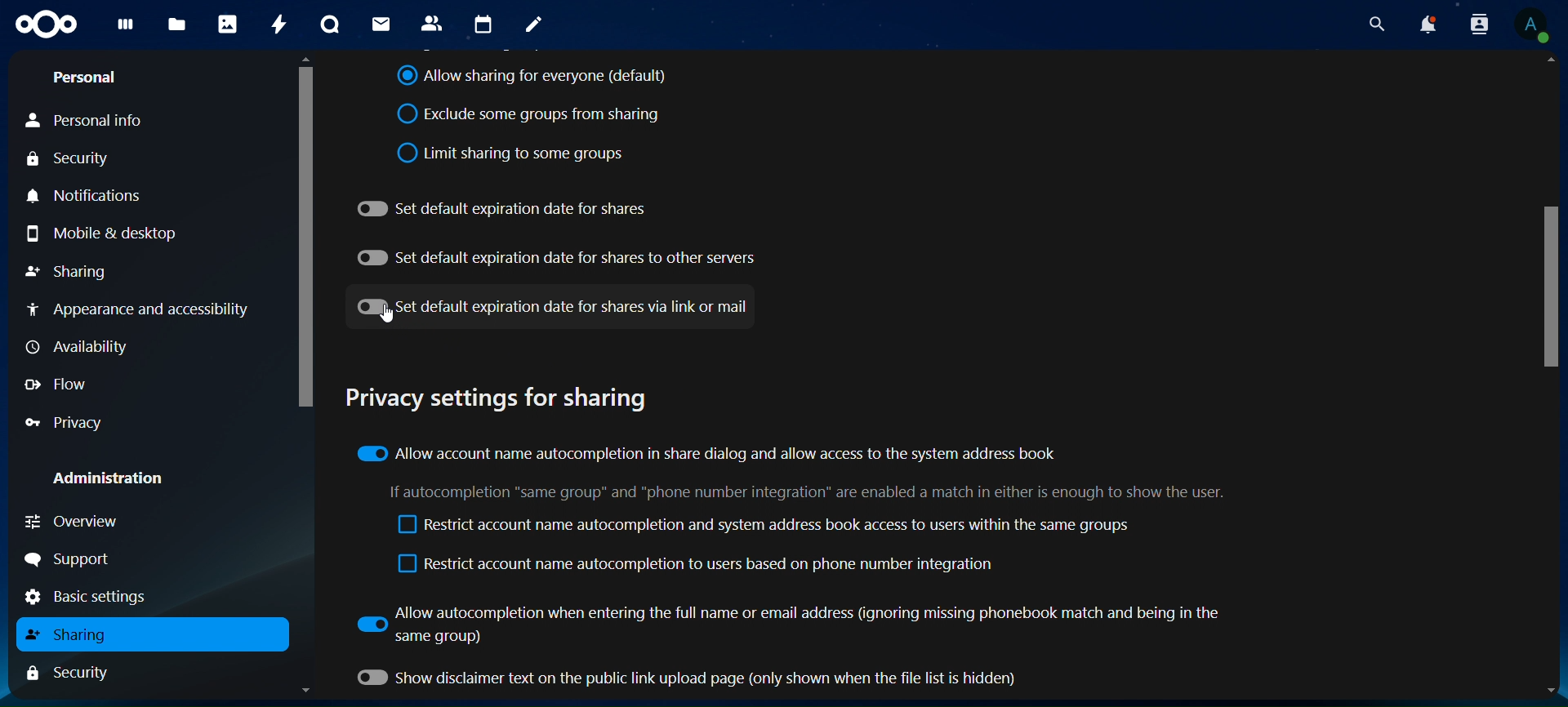 This screenshot has width=1568, height=707. Describe the element at coordinates (1478, 25) in the screenshot. I see `search contacts` at that location.